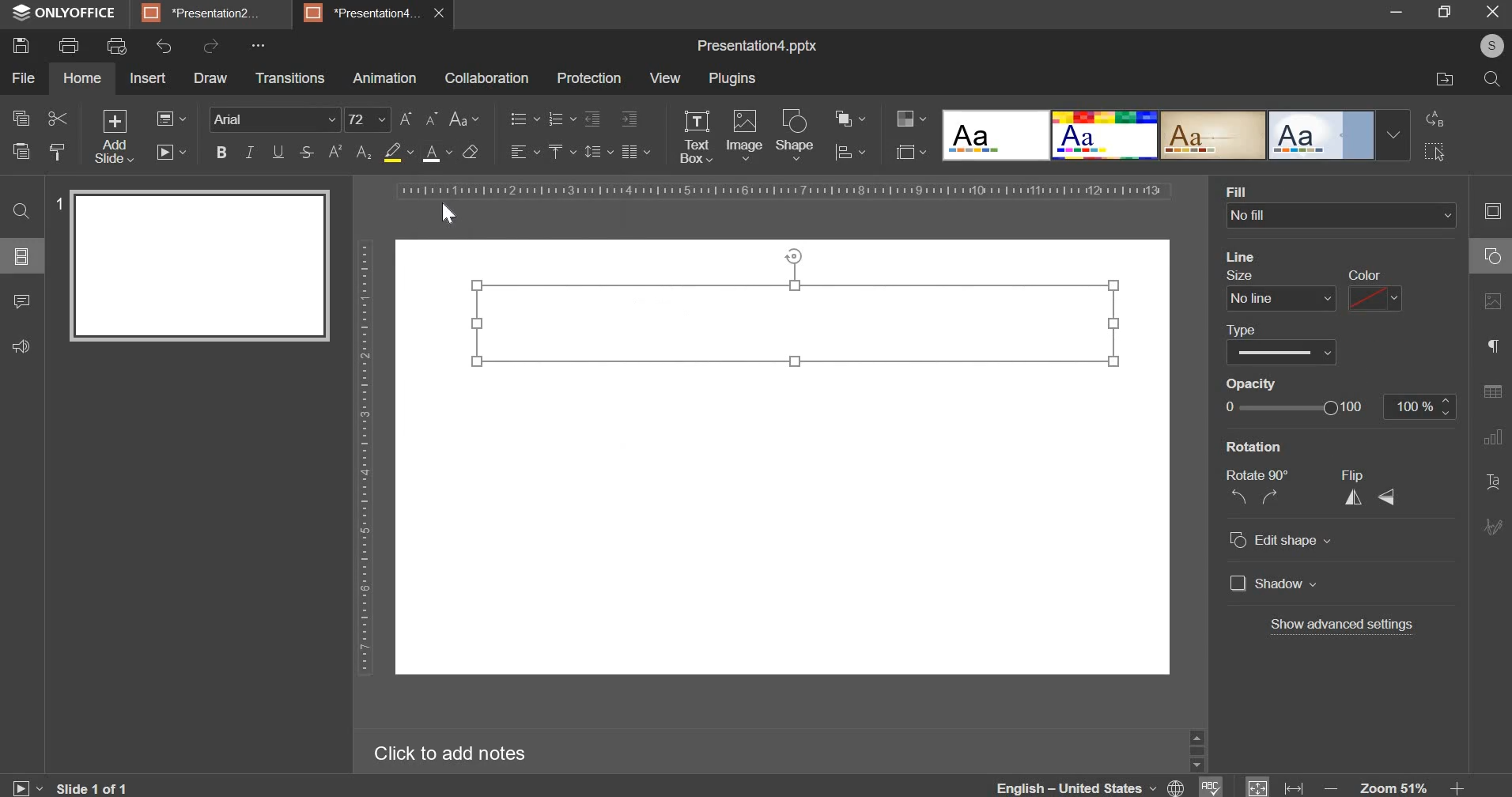 The width and height of the screenshot is (1512, 797). I want to click on zoom level, so click(1393, 784).